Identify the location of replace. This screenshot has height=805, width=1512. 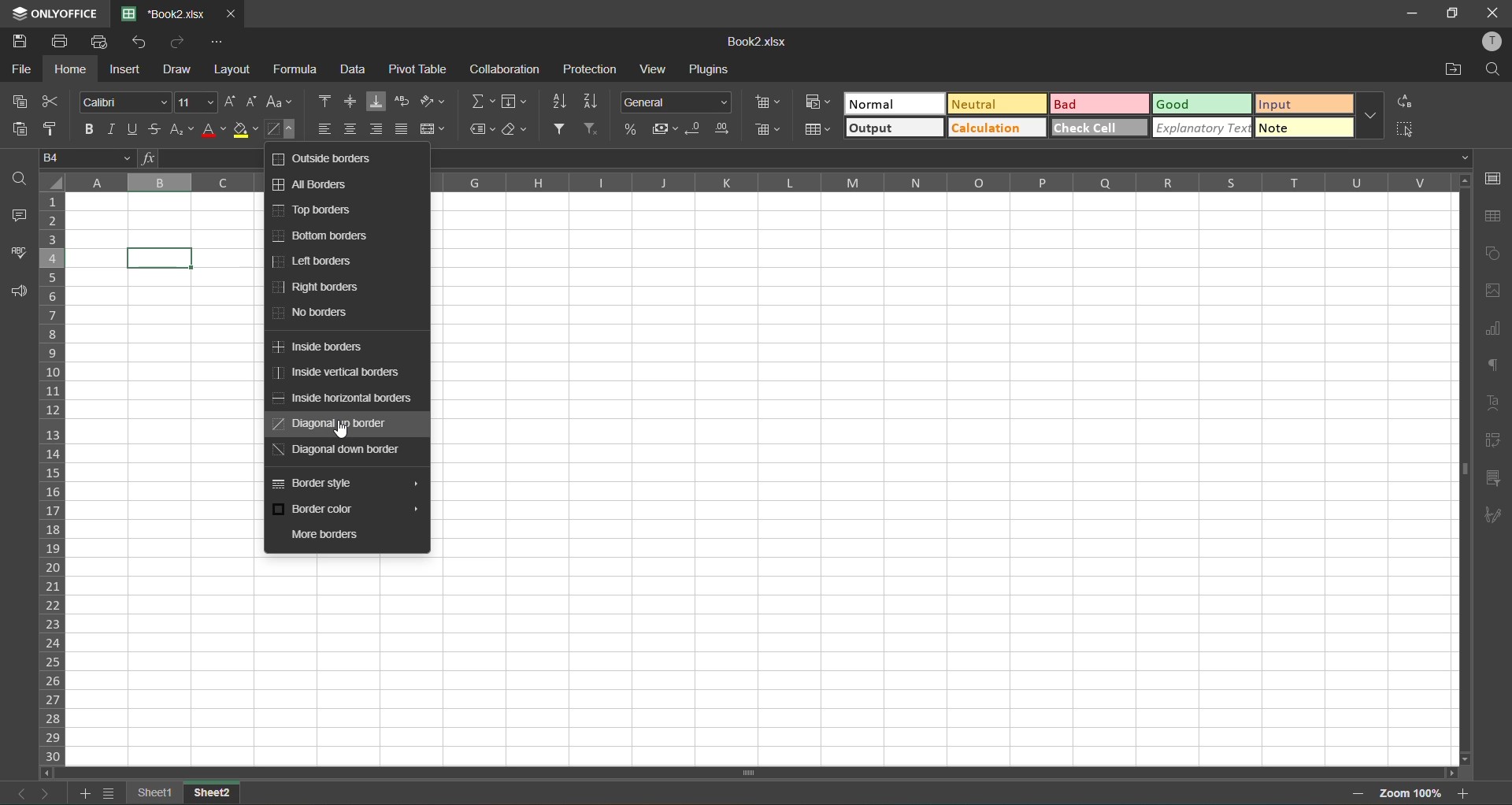
(1404, 99).